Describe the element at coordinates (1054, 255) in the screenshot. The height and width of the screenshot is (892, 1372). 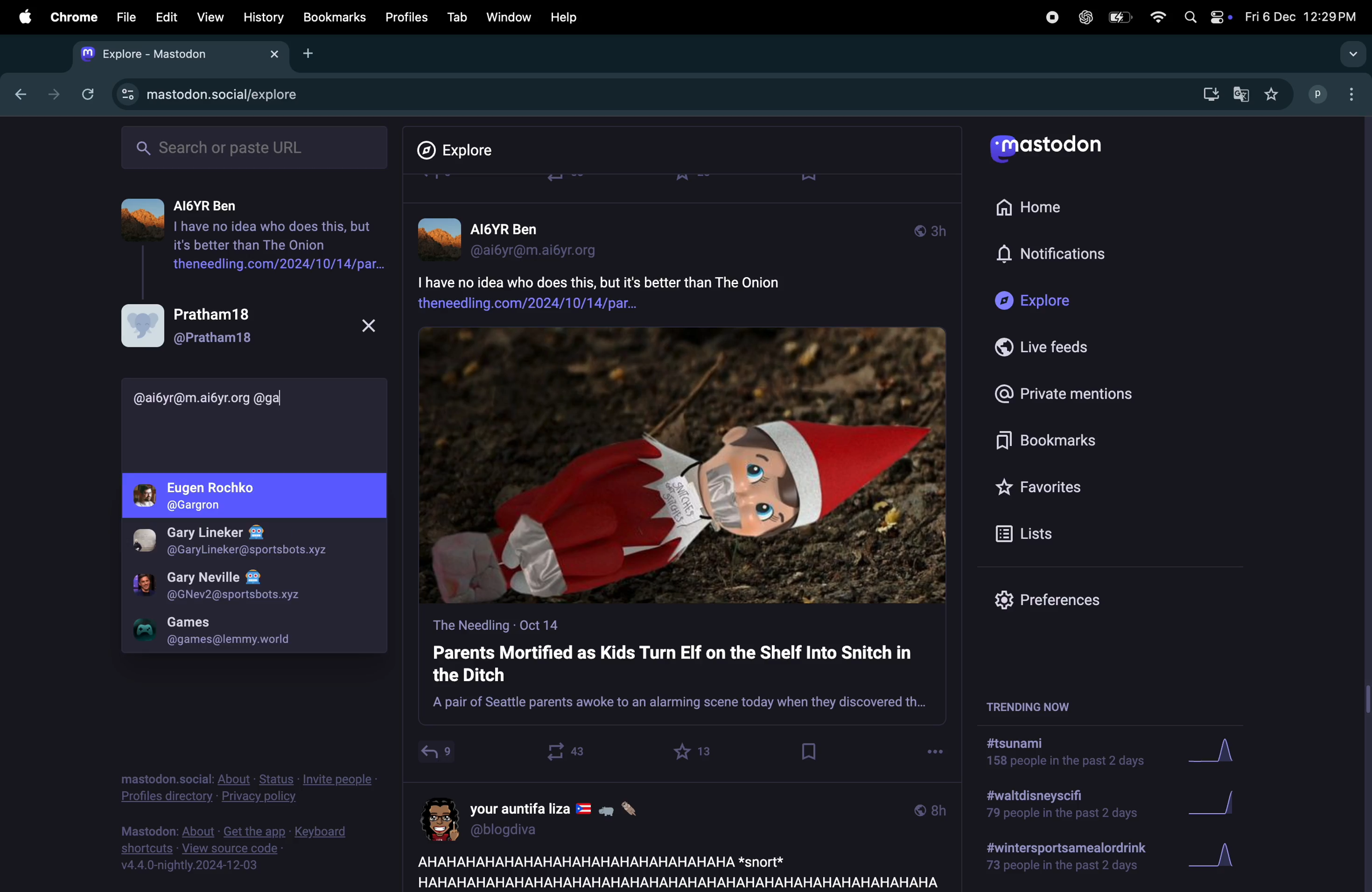
I see `Notifications` at that location.